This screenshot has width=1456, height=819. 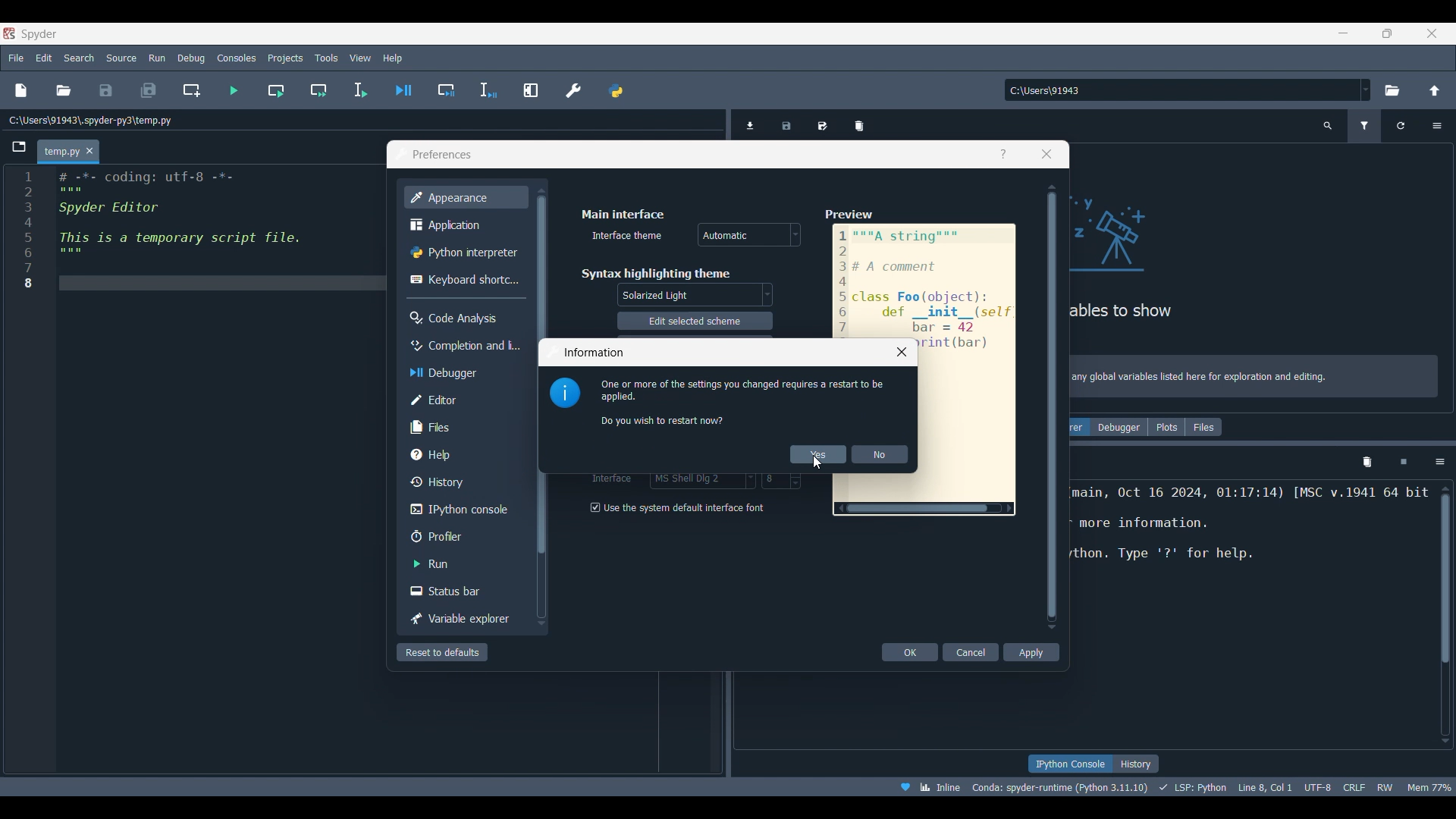 I want to click on Interface theme options, so click(x=749, y=234).